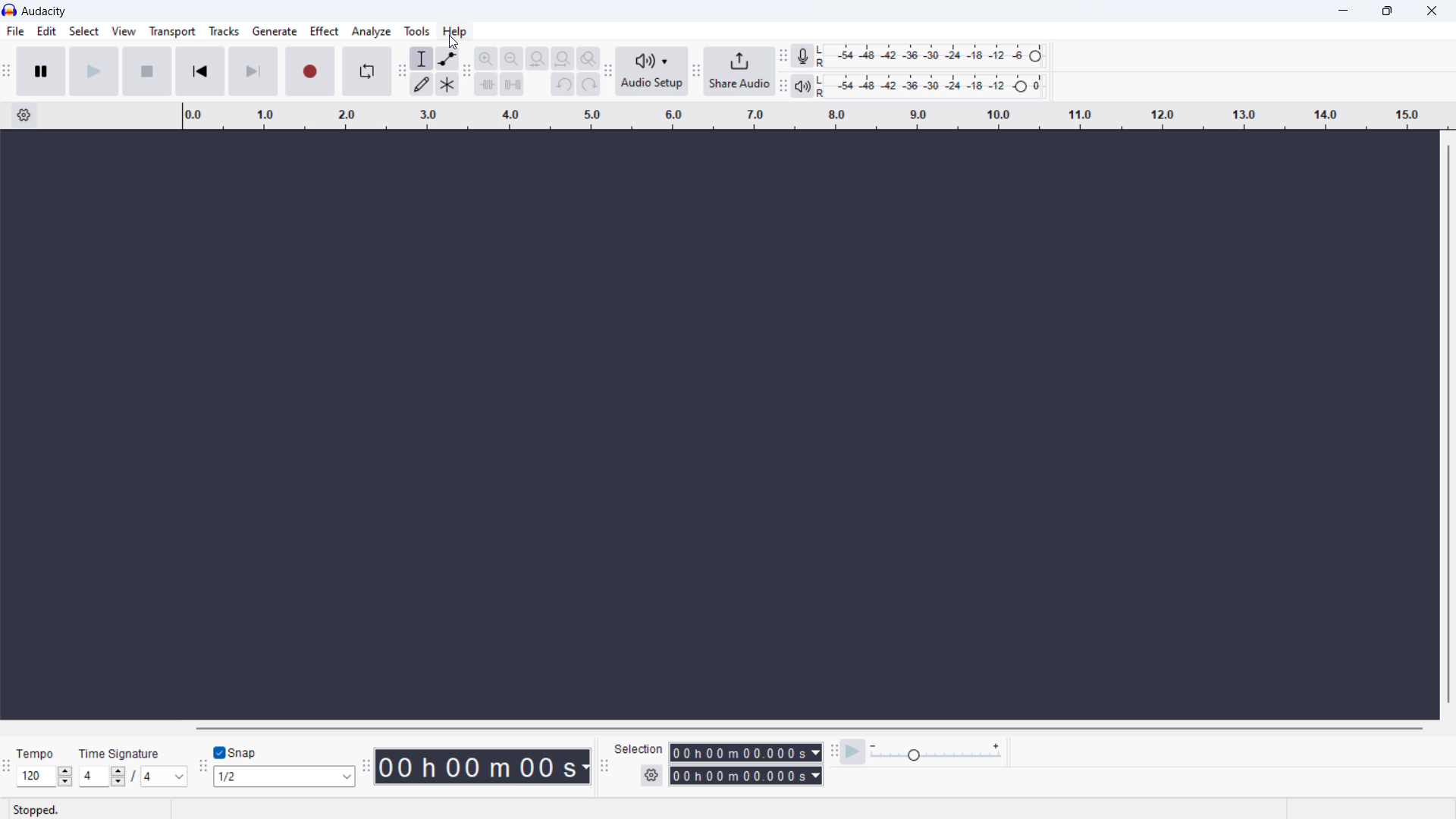 Image resolution: width=1456 pixels, height=819 pixels. I want to click on snapping toolbar, so click(201, 765).